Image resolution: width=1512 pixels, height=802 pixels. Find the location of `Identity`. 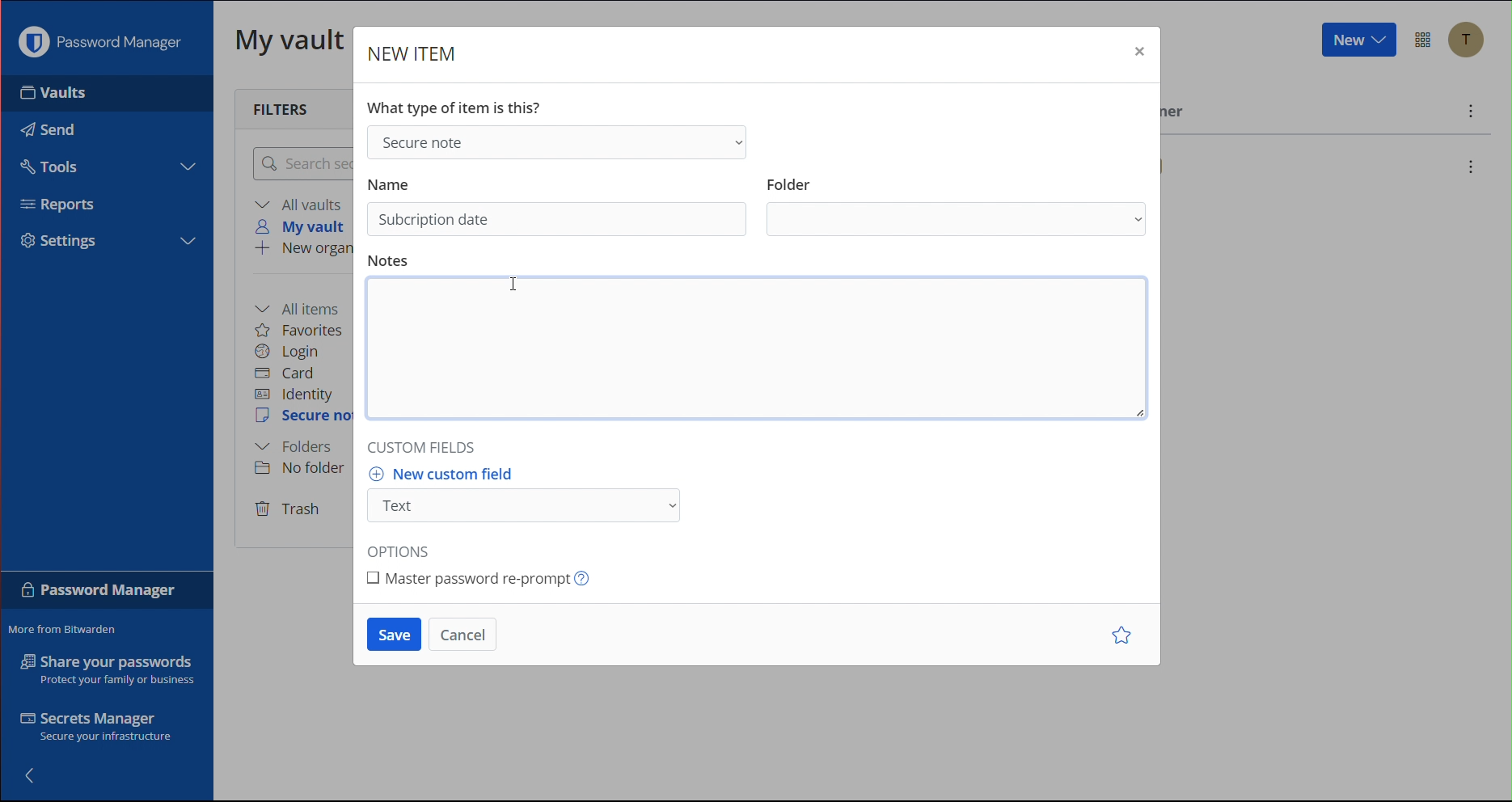

Identity is located at coordinates (294, 395).